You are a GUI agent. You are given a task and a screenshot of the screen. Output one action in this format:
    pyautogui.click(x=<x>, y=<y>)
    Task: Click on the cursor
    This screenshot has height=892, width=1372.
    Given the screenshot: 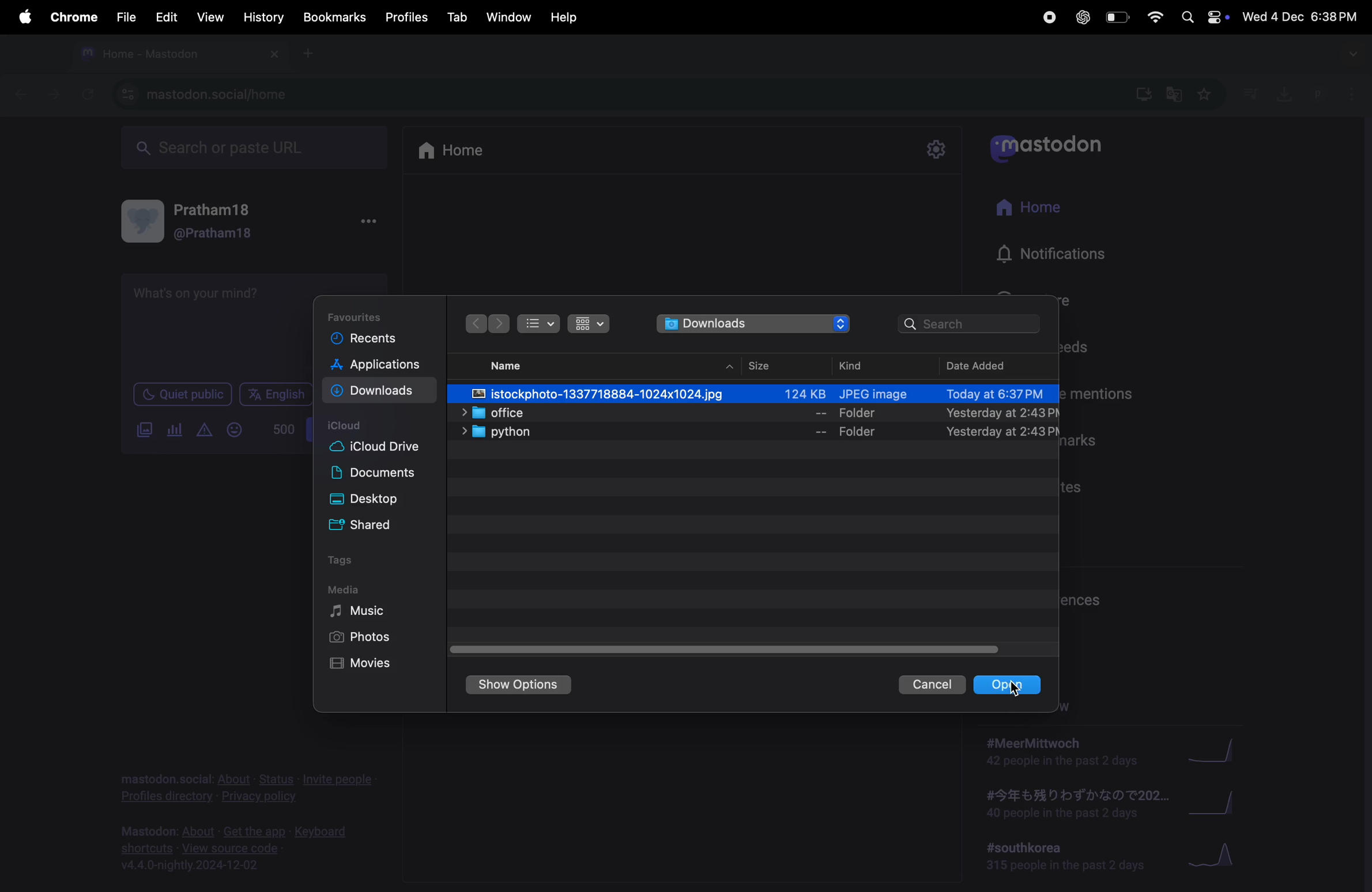 What is the action you would take?
    pyautogui.click(x=1016, y=689)
    